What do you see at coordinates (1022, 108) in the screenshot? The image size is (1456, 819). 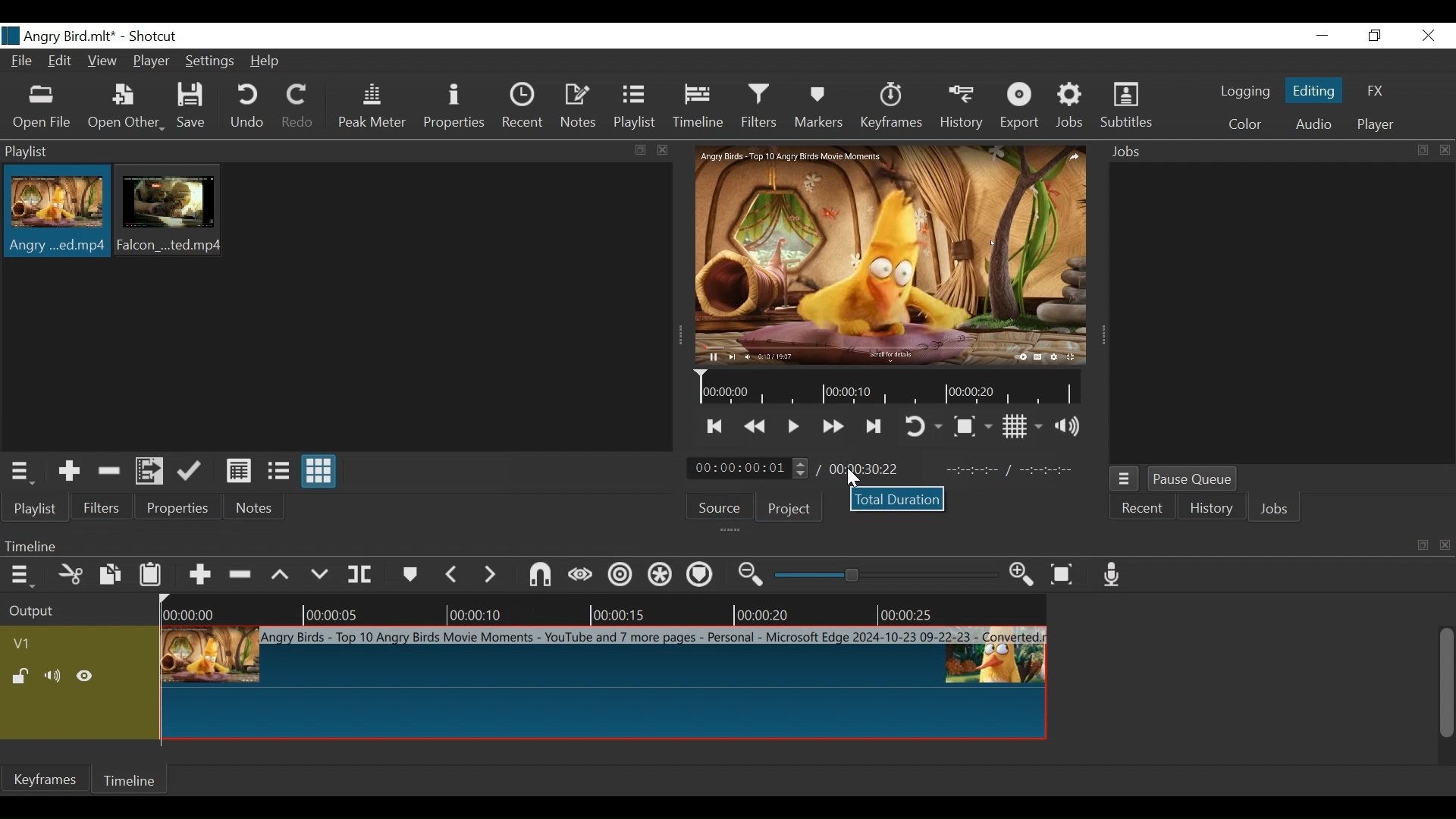 I see `Export` at bounding box center [1022, 108].